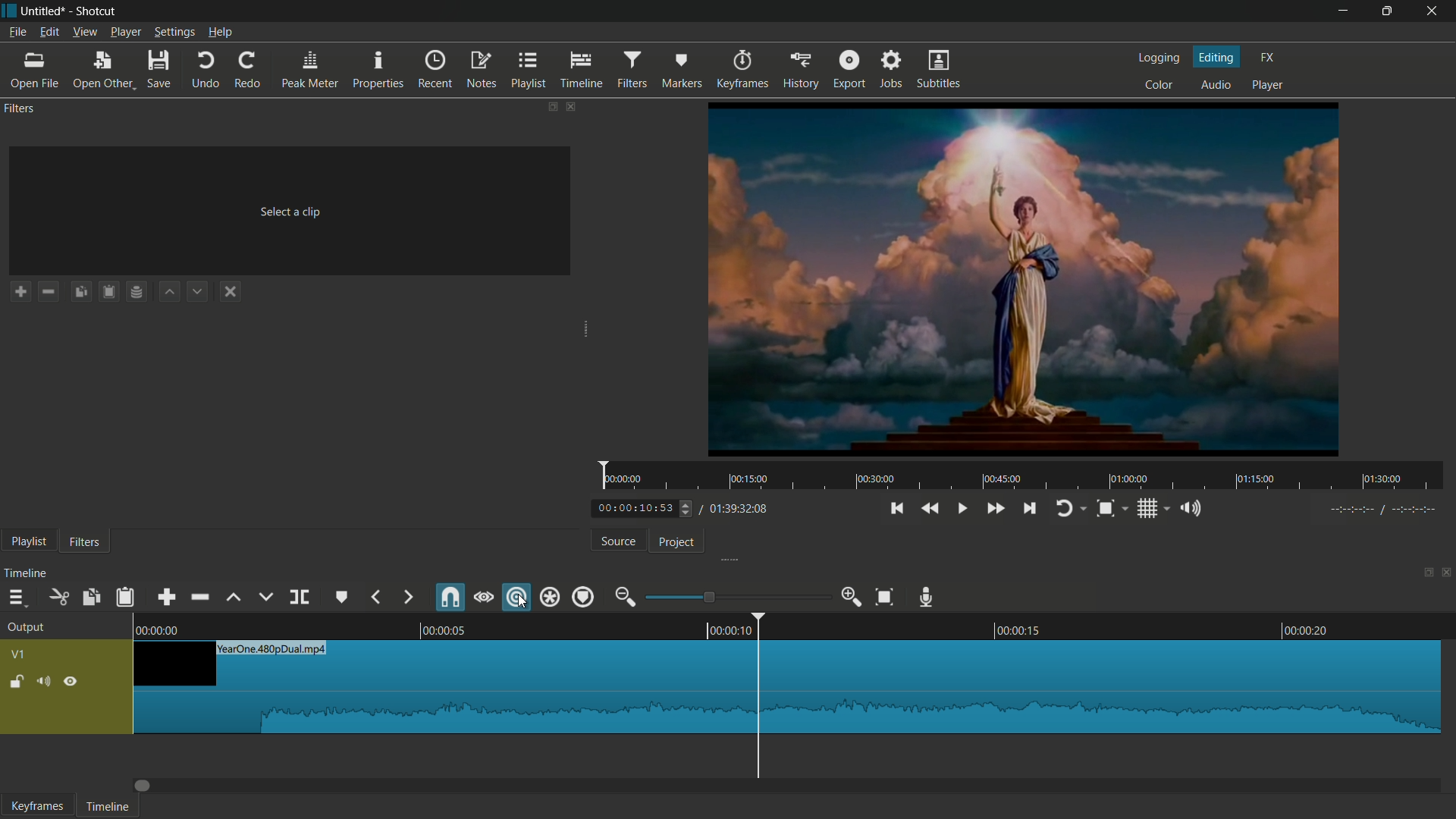  Describe the element at coordinates (1447, 572) in the screenshot. I see `close timeline` at that location.